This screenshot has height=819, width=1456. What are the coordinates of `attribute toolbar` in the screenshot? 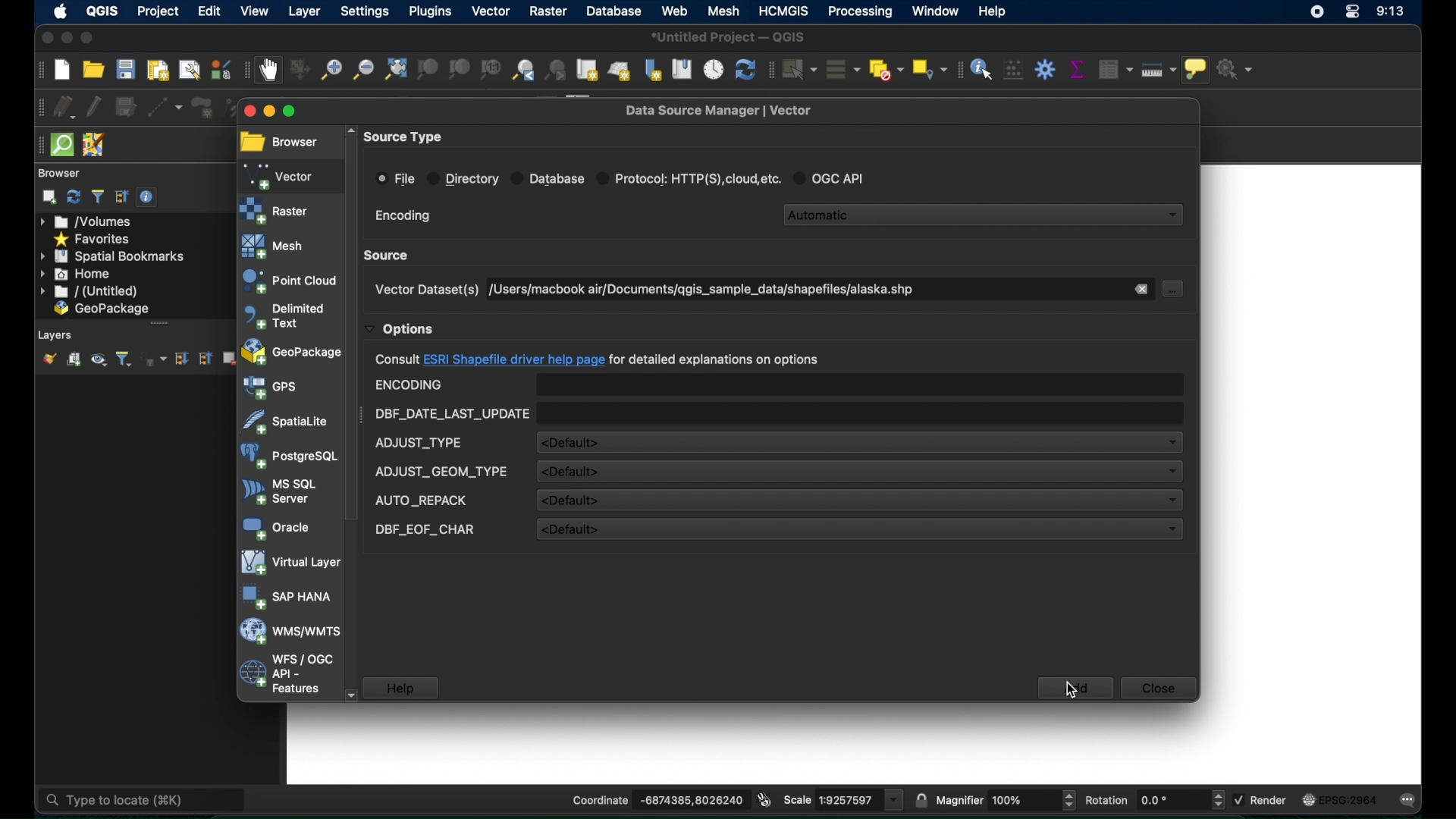 It's located at (958, 71).